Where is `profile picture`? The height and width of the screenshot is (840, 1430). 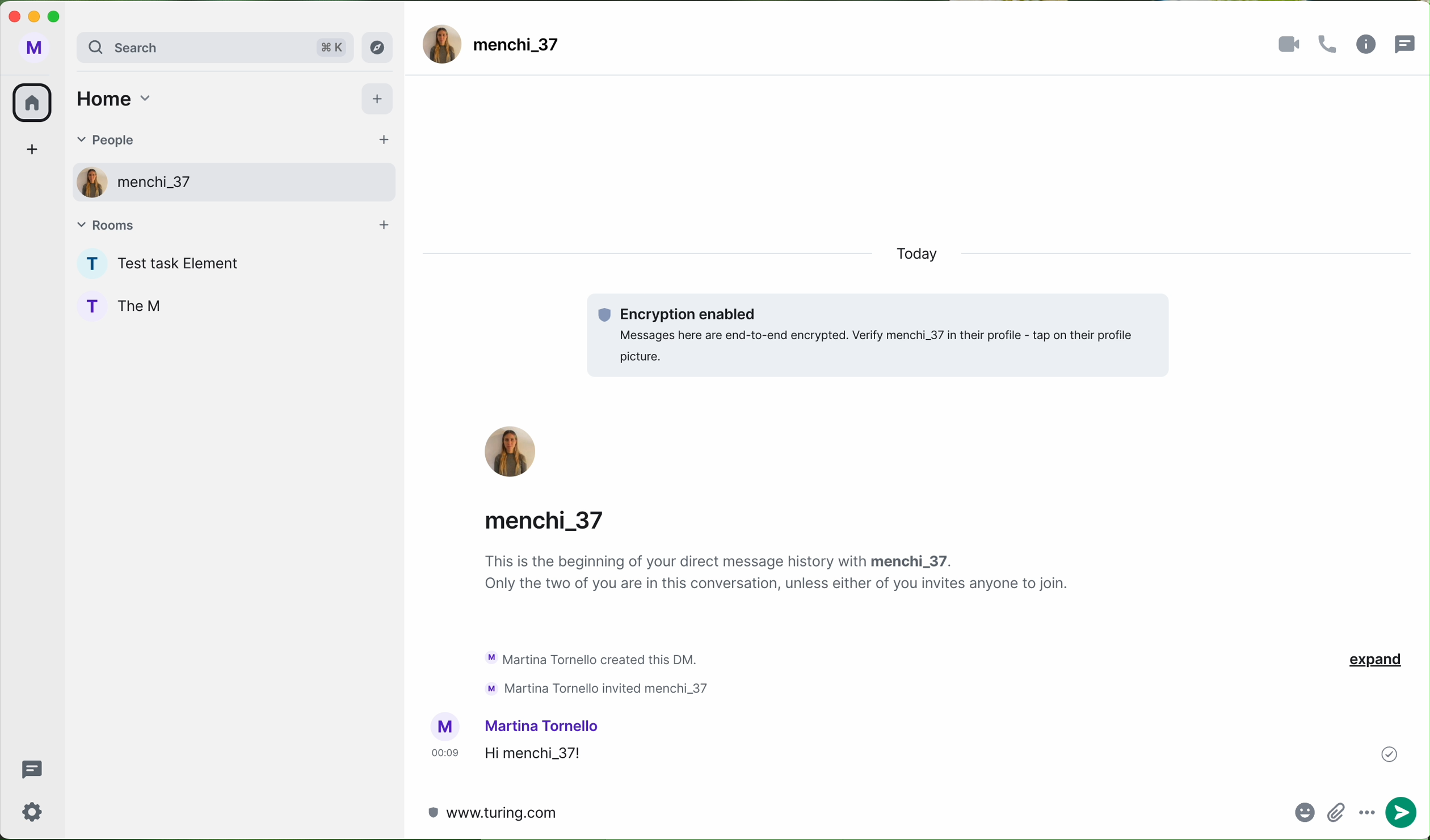 profile picture is located at coordinates (445, 727).